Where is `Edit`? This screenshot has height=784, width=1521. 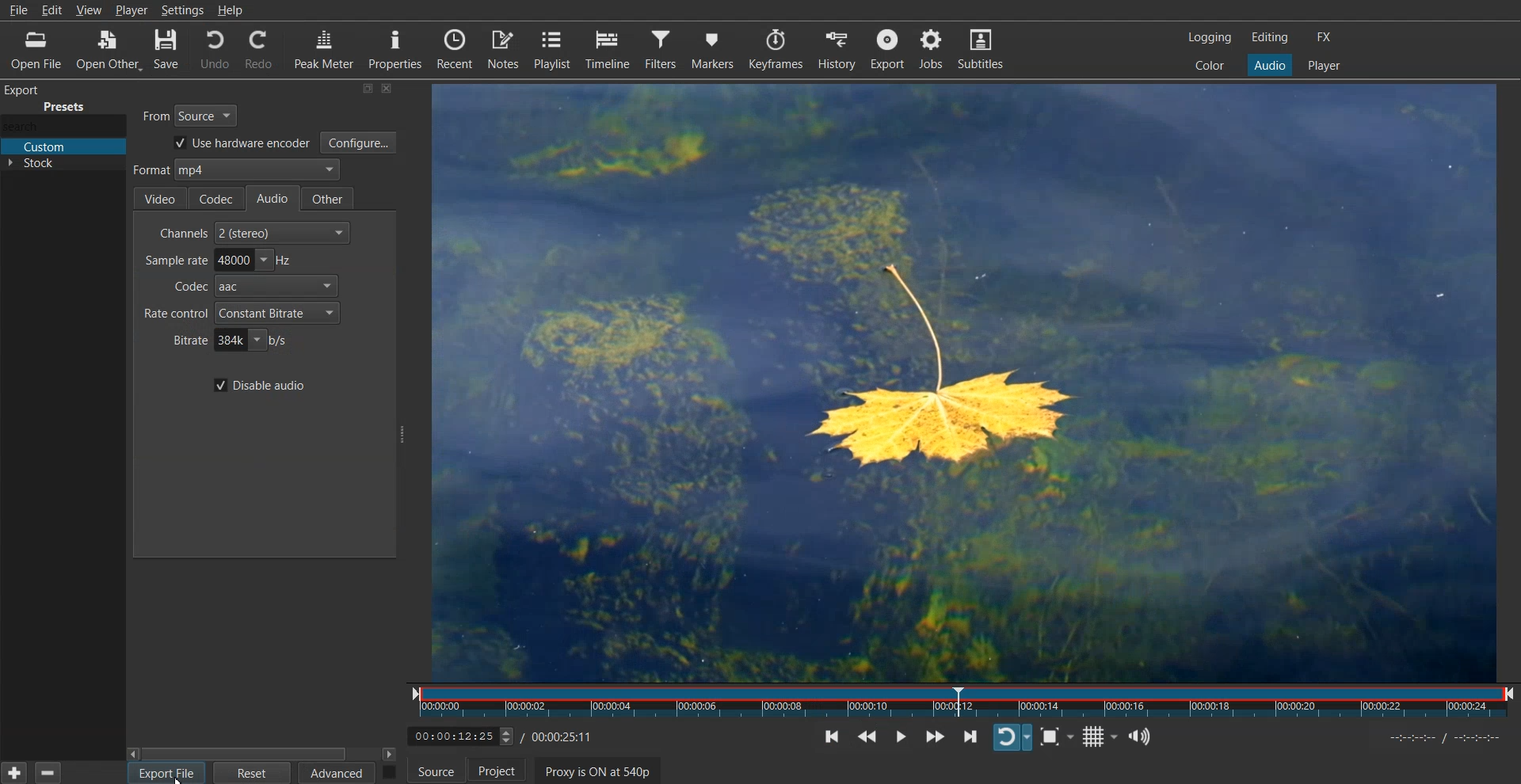 Edit is located at coordinates (54, 9).